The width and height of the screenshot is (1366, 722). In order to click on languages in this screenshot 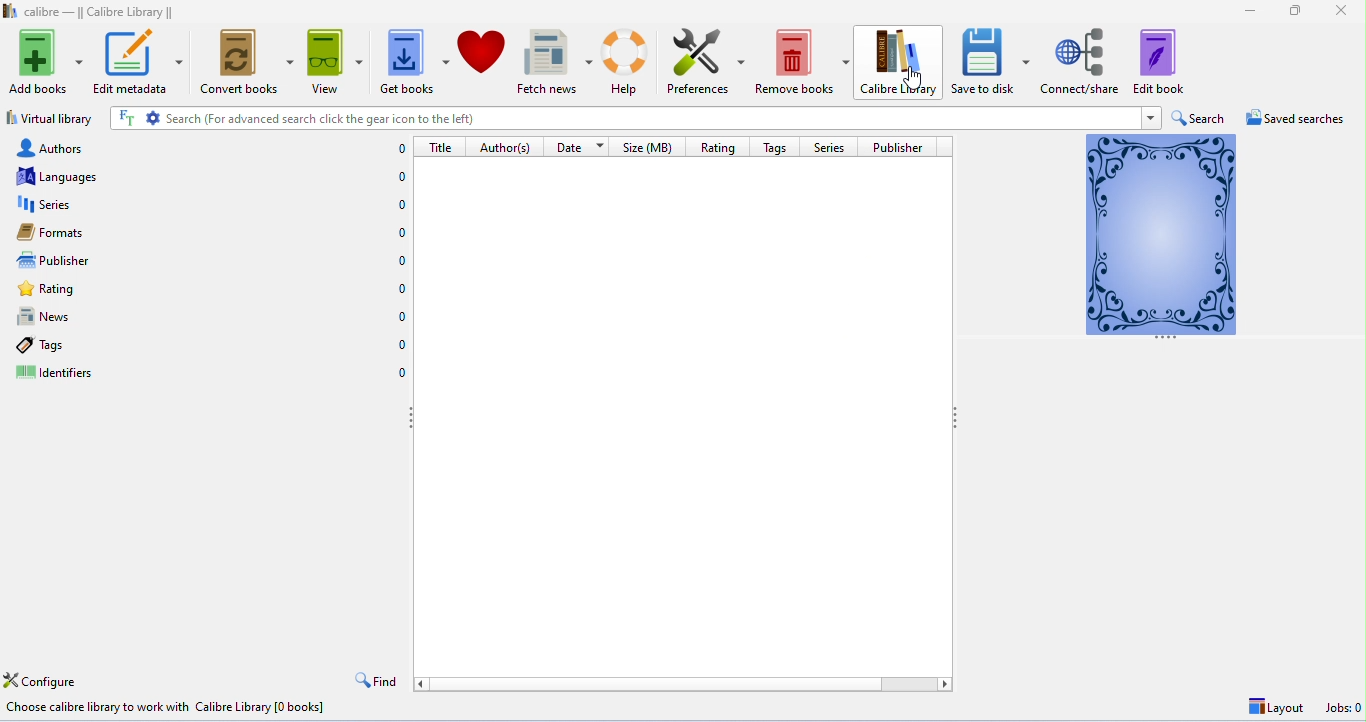, I will do `click(212, 176)`.